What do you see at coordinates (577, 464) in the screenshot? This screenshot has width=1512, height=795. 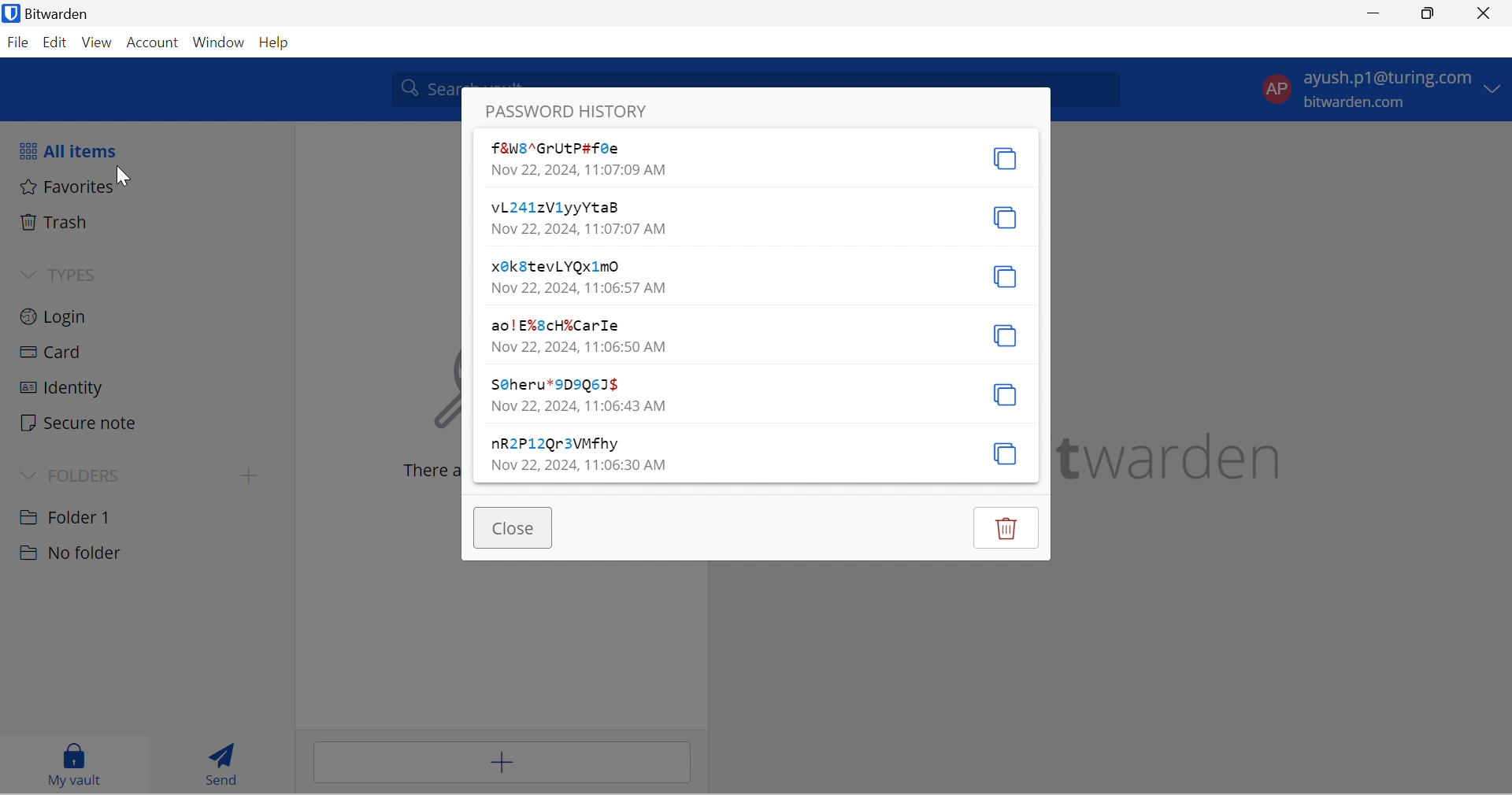 I see `Nov 22, 2024, 11:06:30 AM` at bounding box center [577, 464].